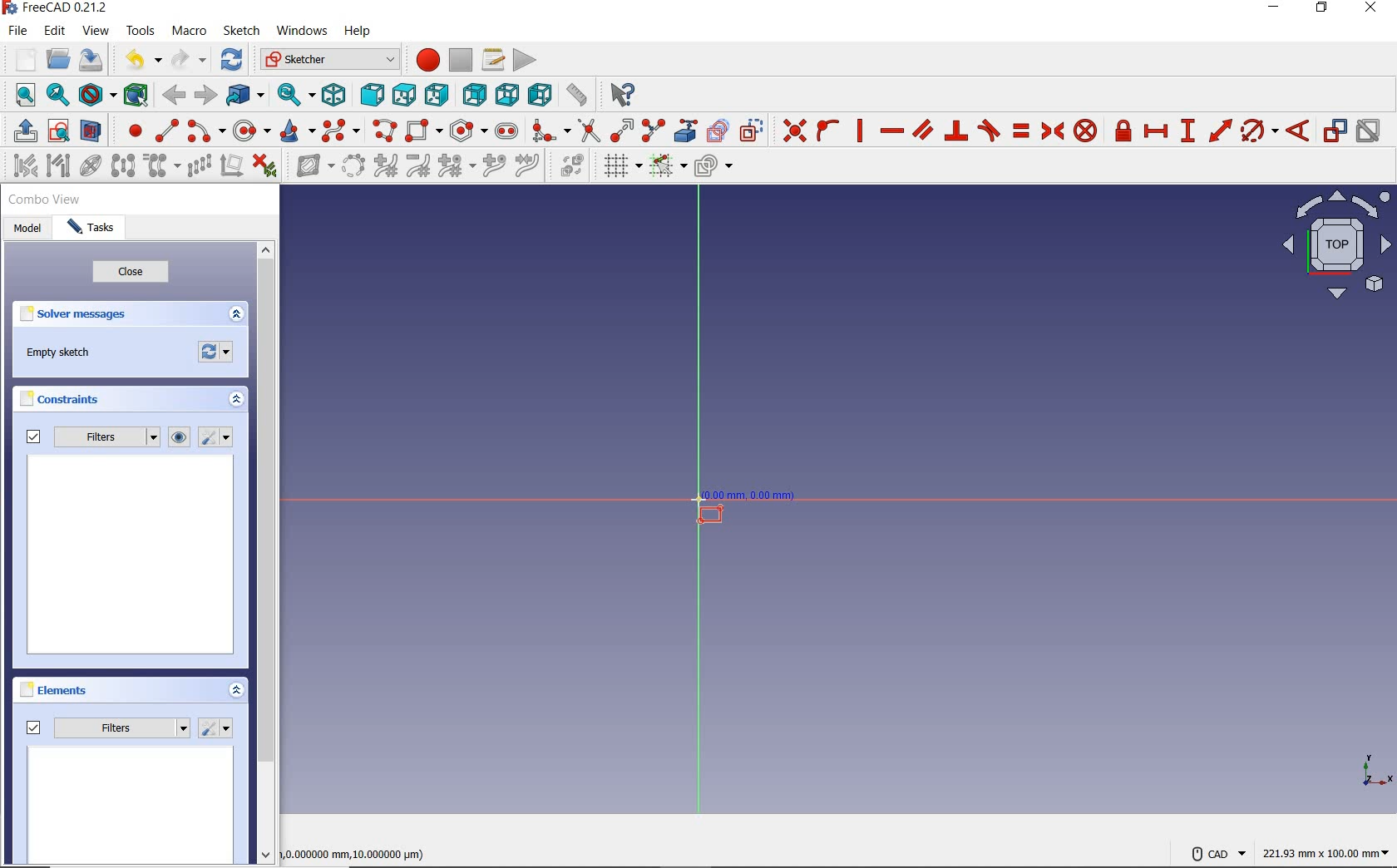 The image size is (1397, 868). What do you see at coordinates (244, 96) in the screenshot?
I see `go to linked object` at bounding box center [244, 96].